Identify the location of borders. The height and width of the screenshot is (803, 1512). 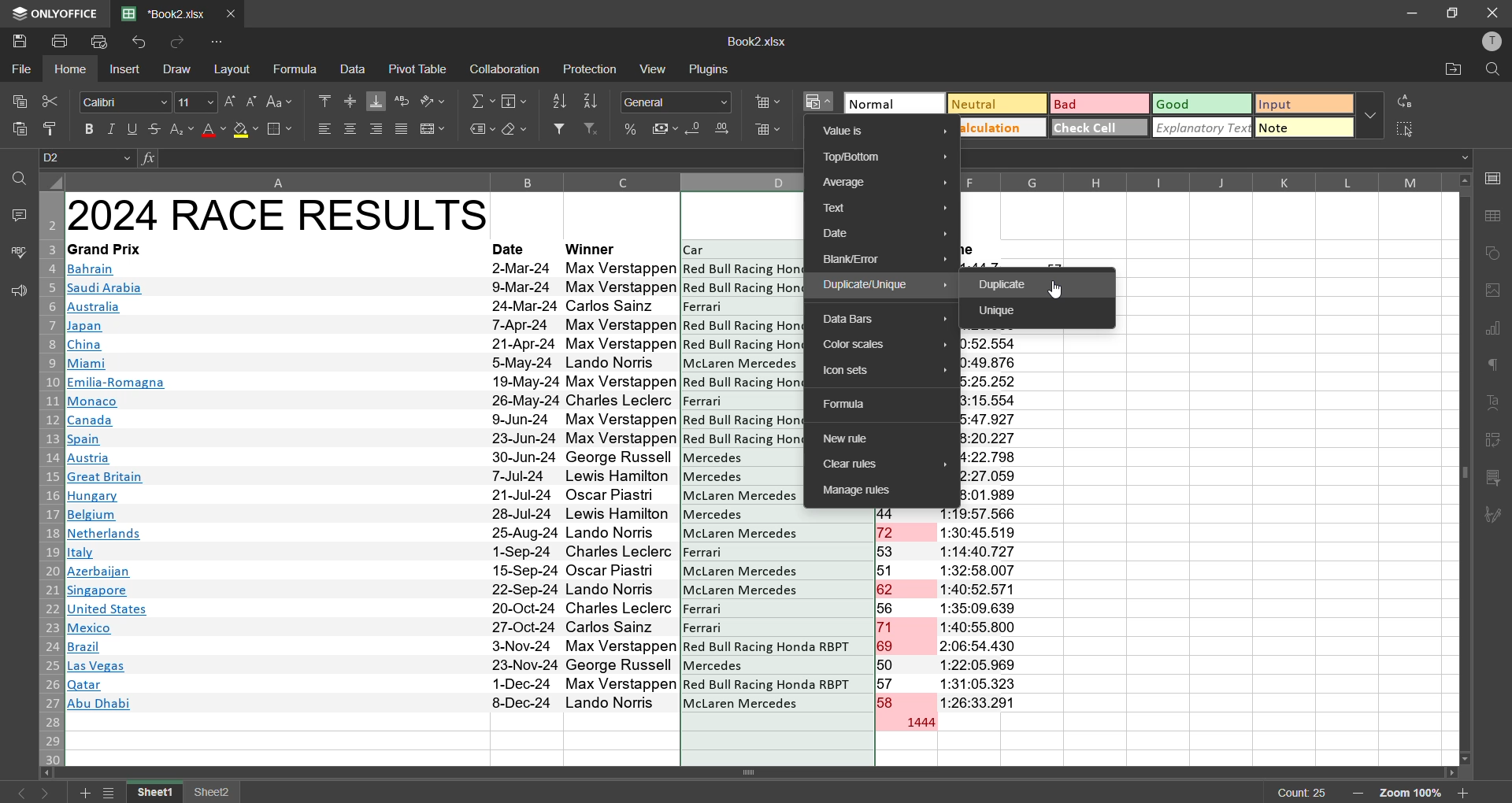
(280, 130).